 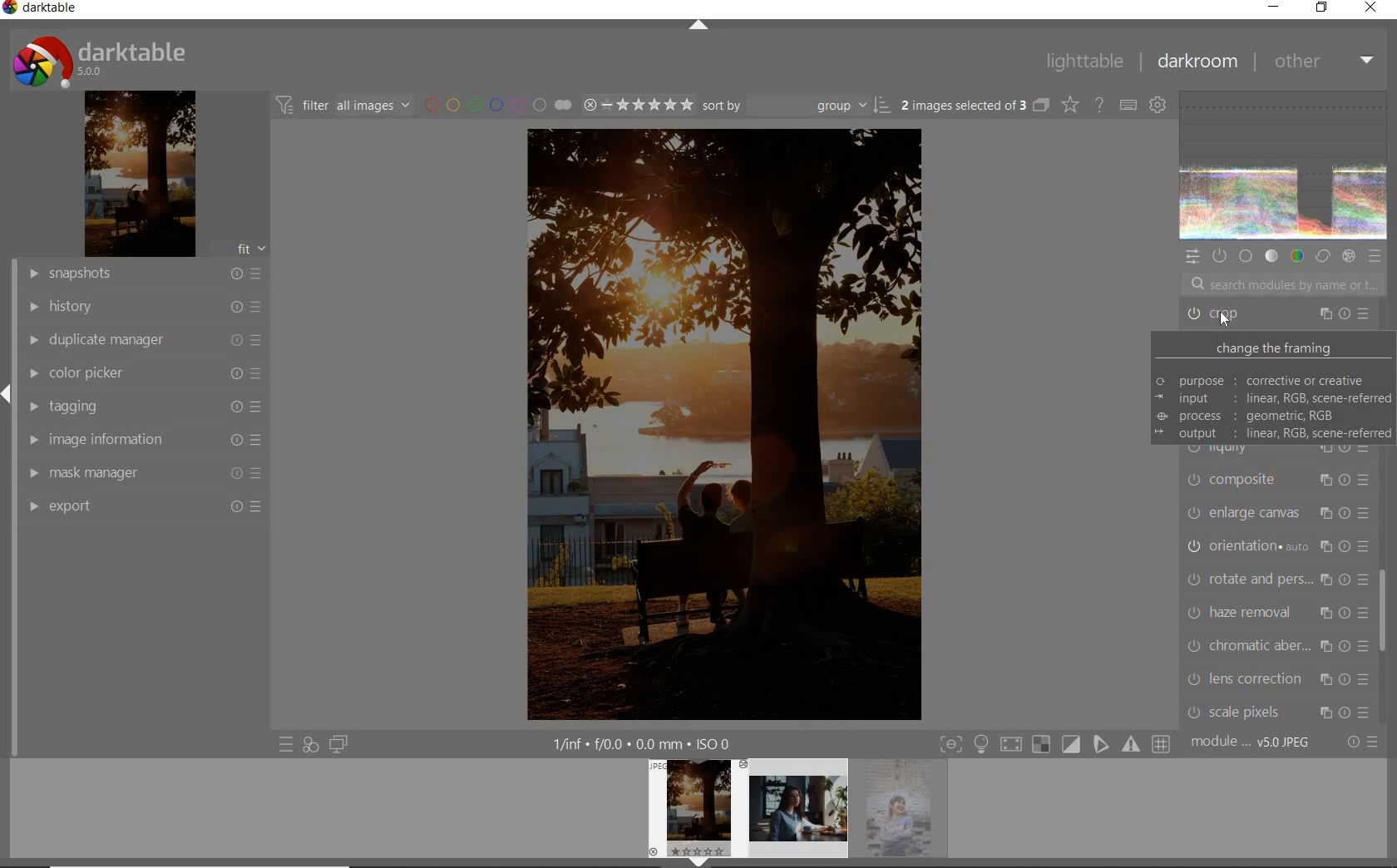 I want to click on filter by image color label, so click(x=496, y=104).